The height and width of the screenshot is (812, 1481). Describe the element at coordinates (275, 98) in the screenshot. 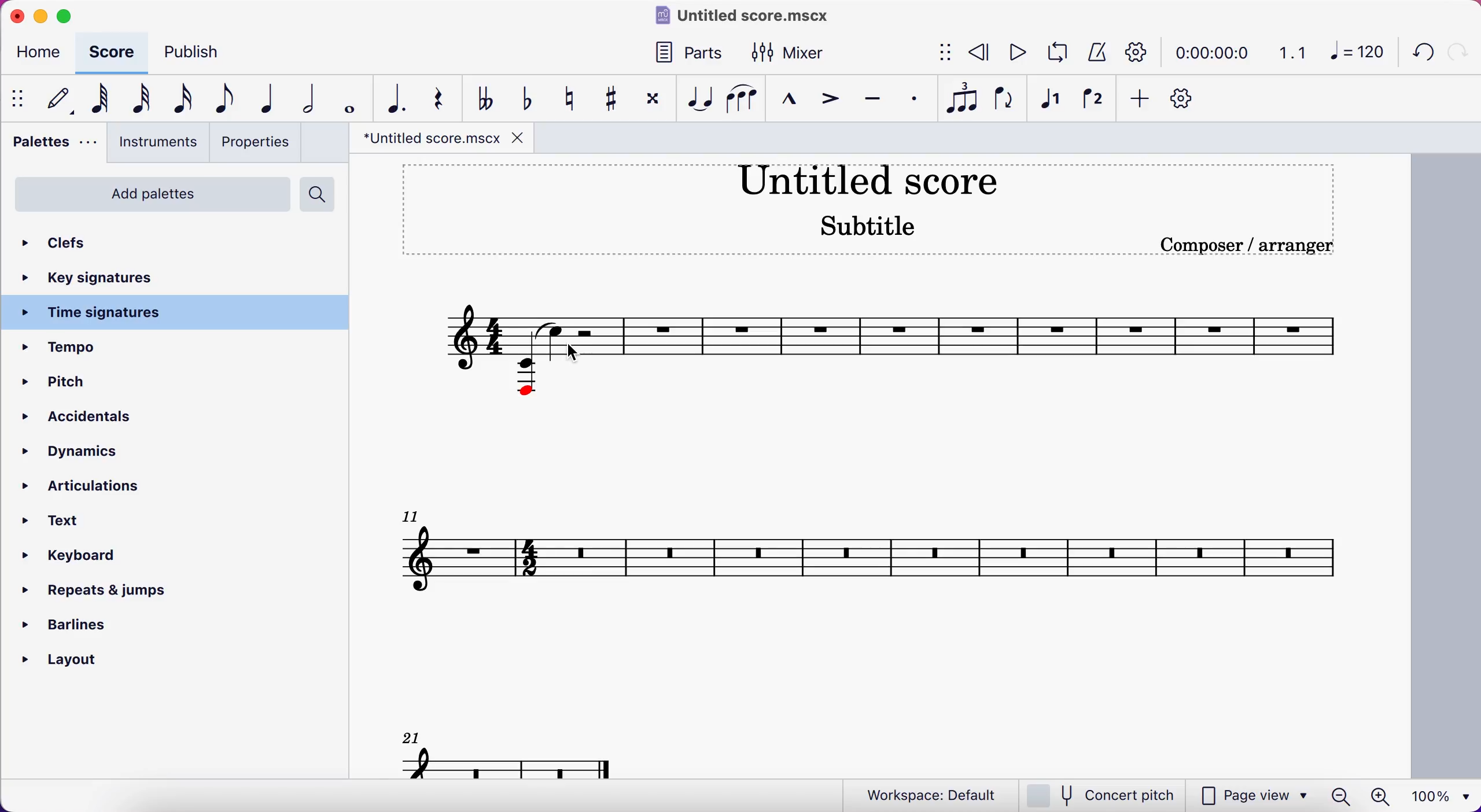

I see `quarter note` at that location.